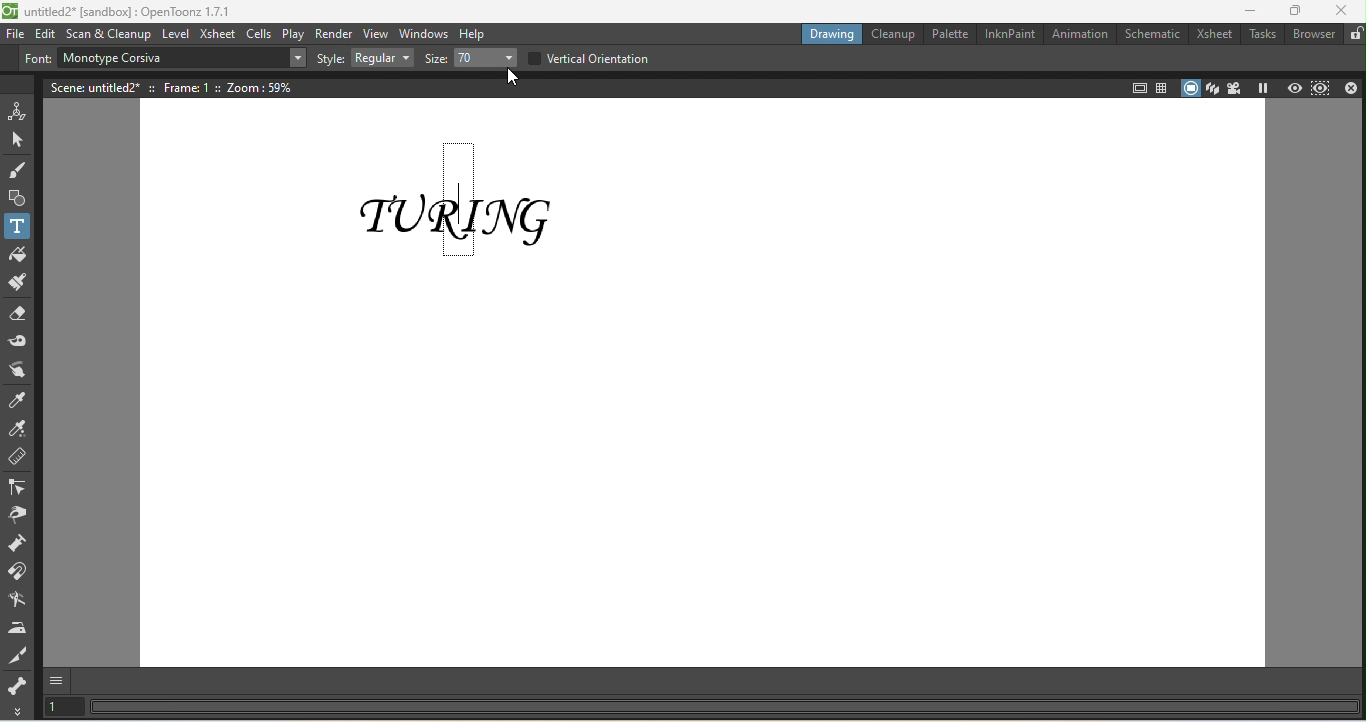 This screenshot has height=722, width=1366. Describe the element at coordinates (35, 60) in the screenshot. I see `Font` at that location.